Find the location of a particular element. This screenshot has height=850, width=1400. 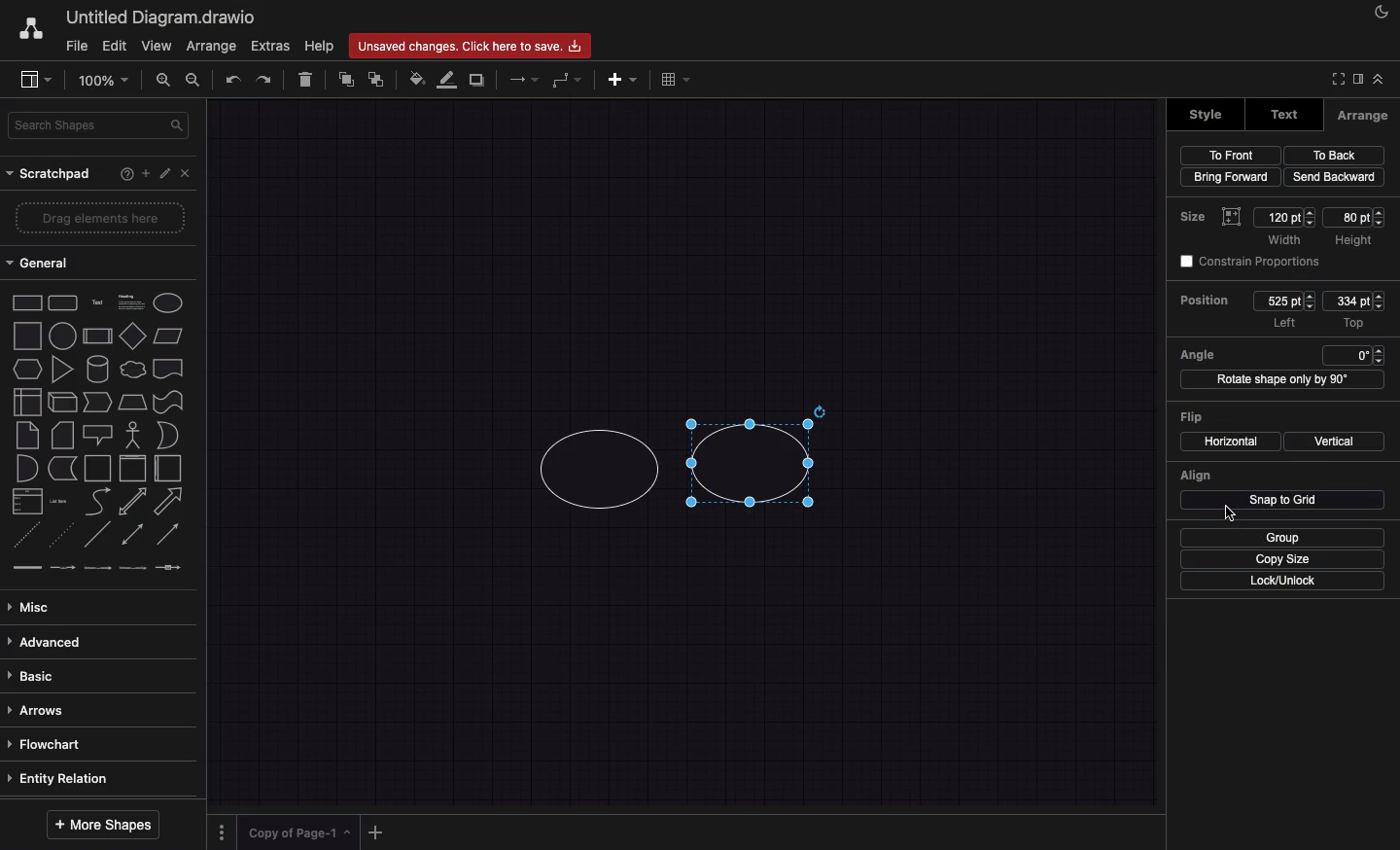

copy size is located at coordinates (1284, 559).